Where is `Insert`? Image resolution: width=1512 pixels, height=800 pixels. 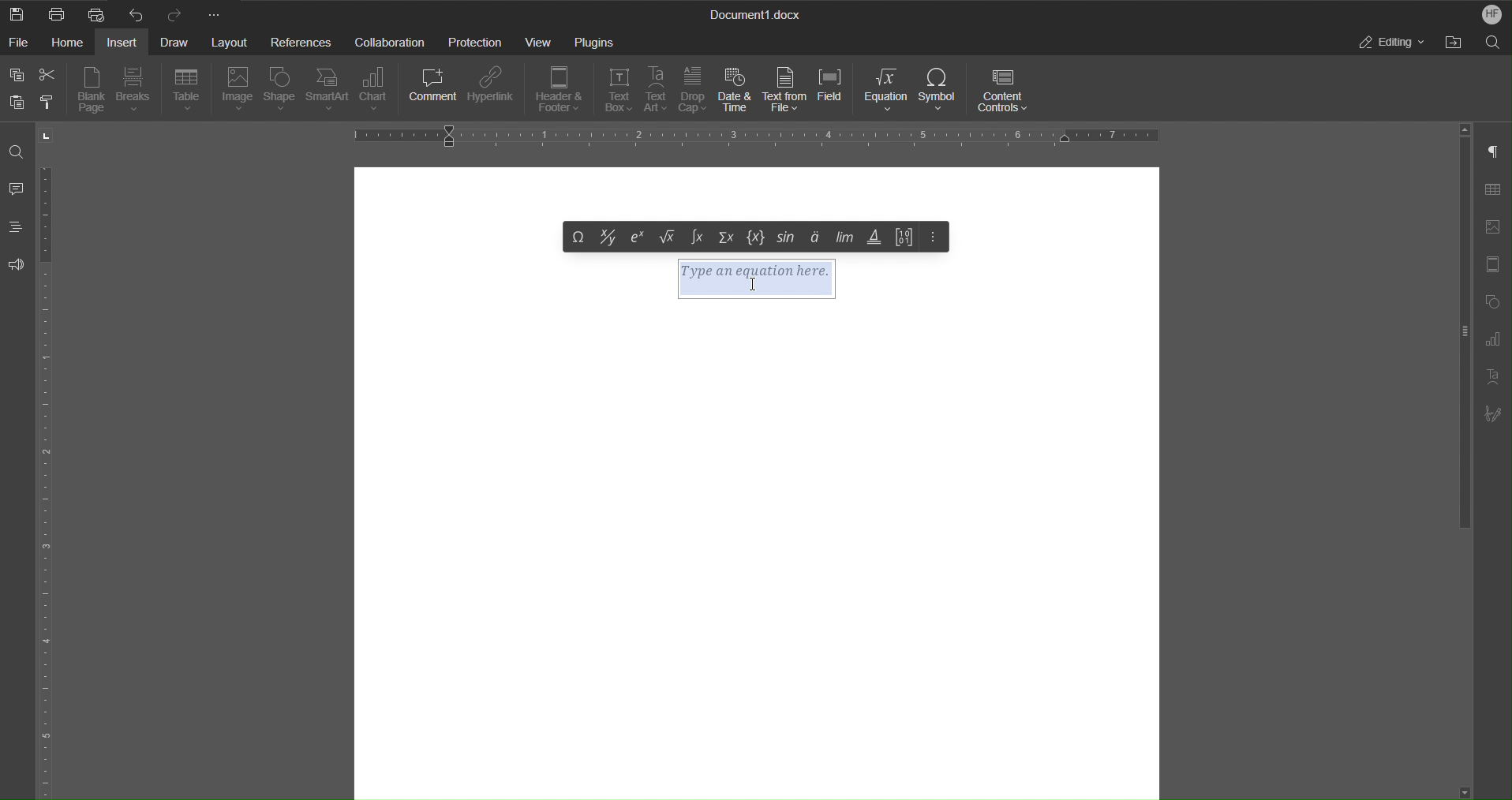
Insert is located at coordinates (121, 44).